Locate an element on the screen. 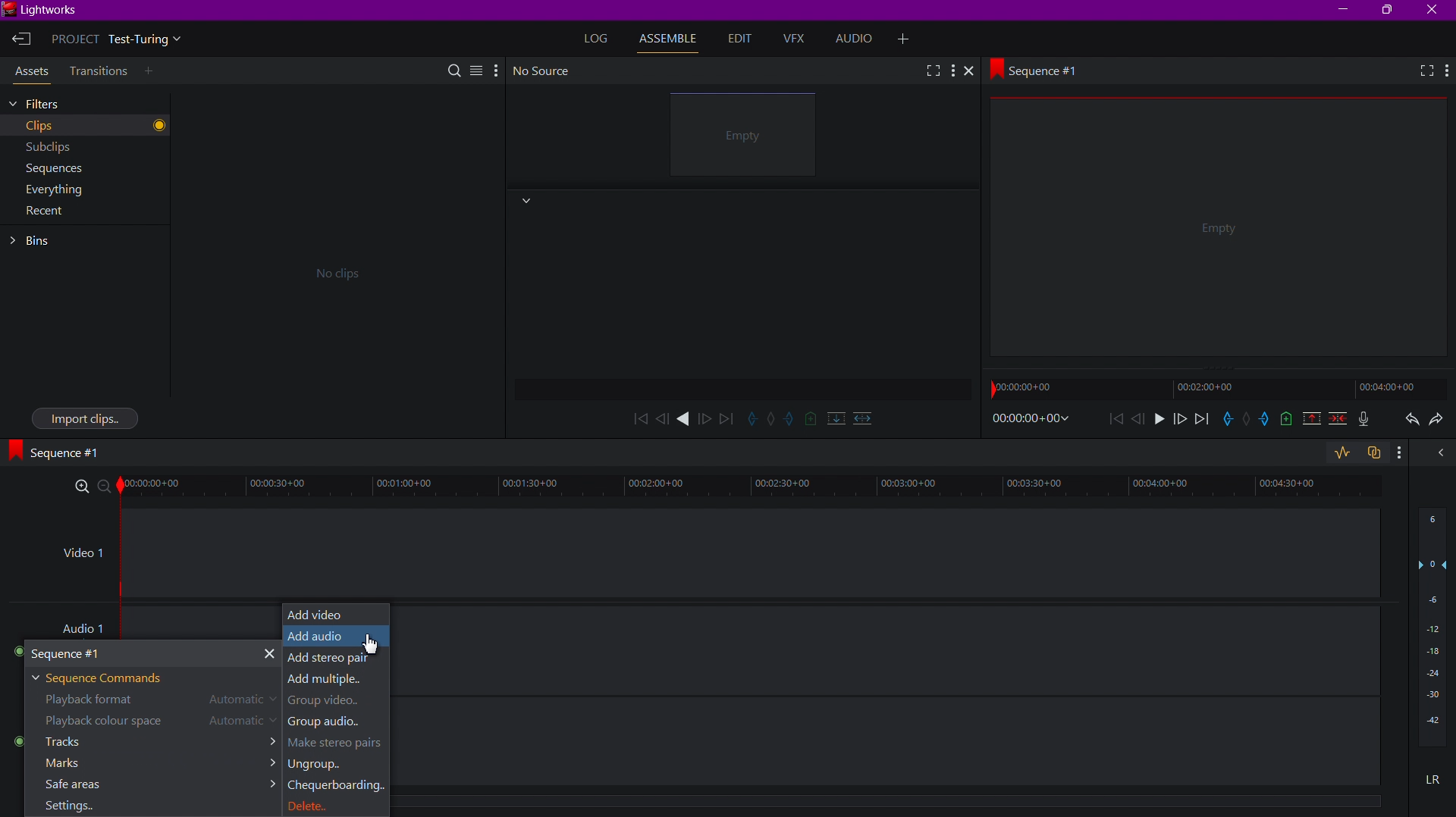  More is located at coordinates (954, 70).